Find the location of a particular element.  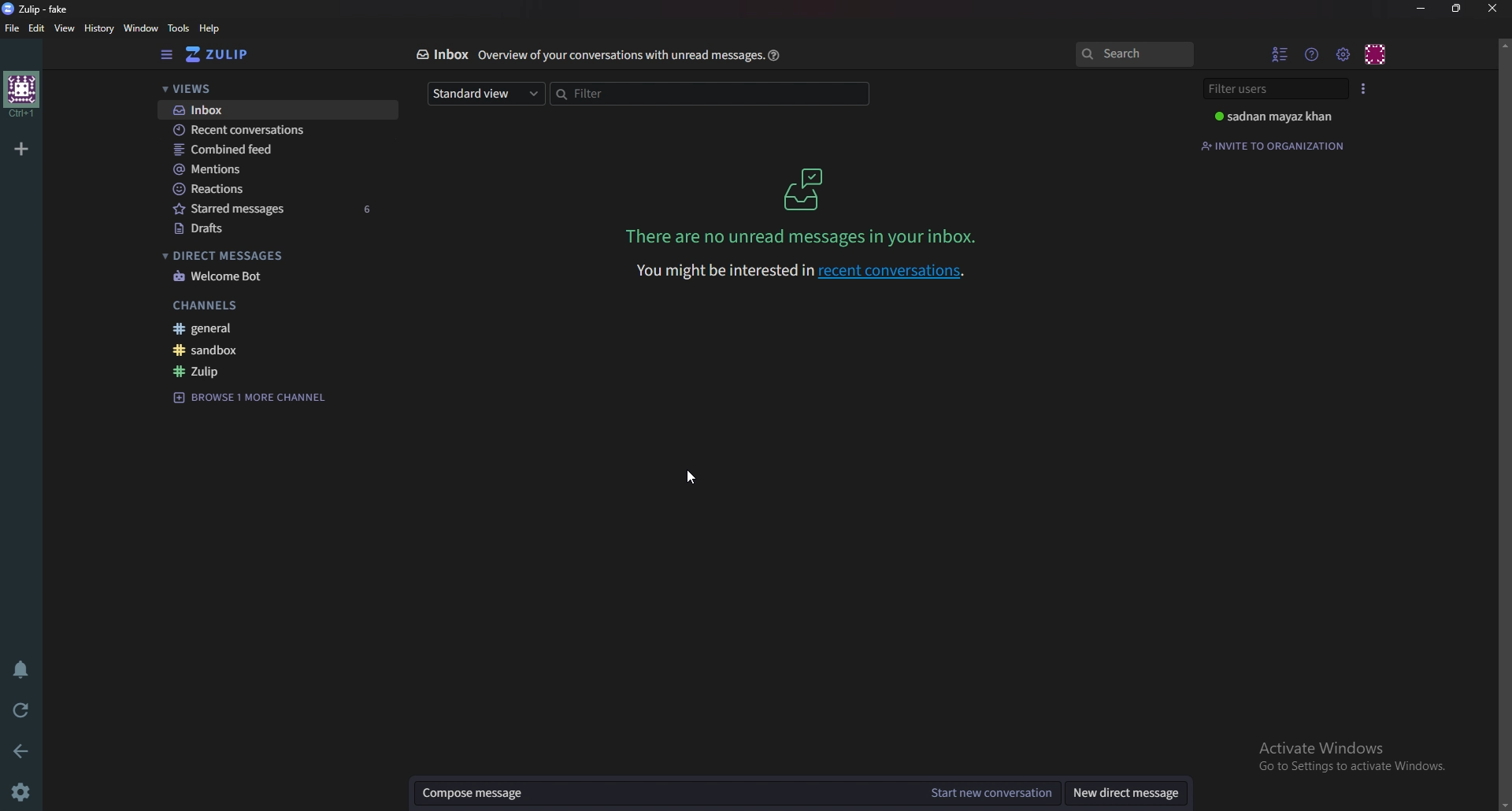

Starred messages is located at coordinates (272, 209).